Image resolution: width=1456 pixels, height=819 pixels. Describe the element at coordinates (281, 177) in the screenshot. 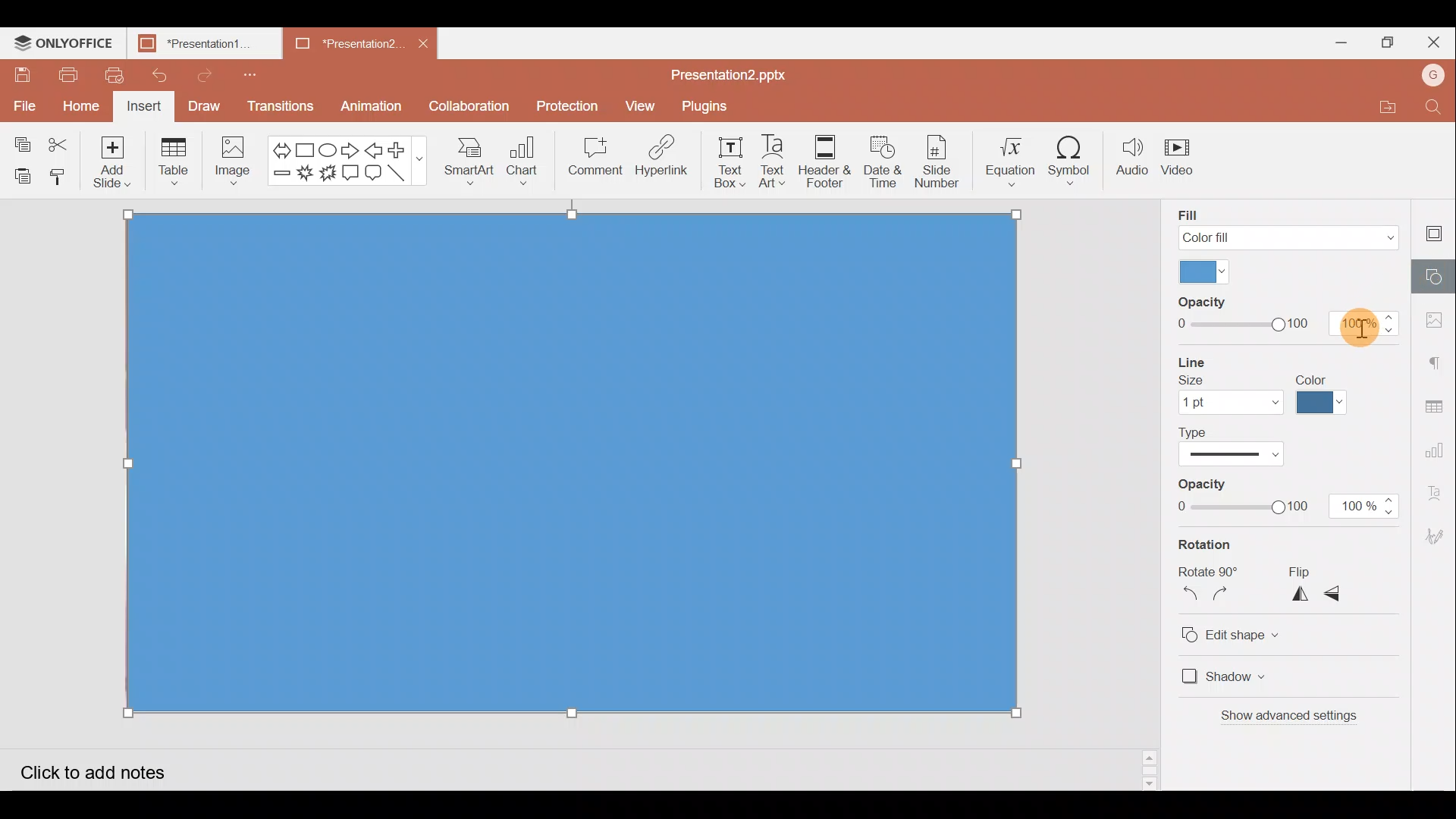

I see `Minus` at that location.